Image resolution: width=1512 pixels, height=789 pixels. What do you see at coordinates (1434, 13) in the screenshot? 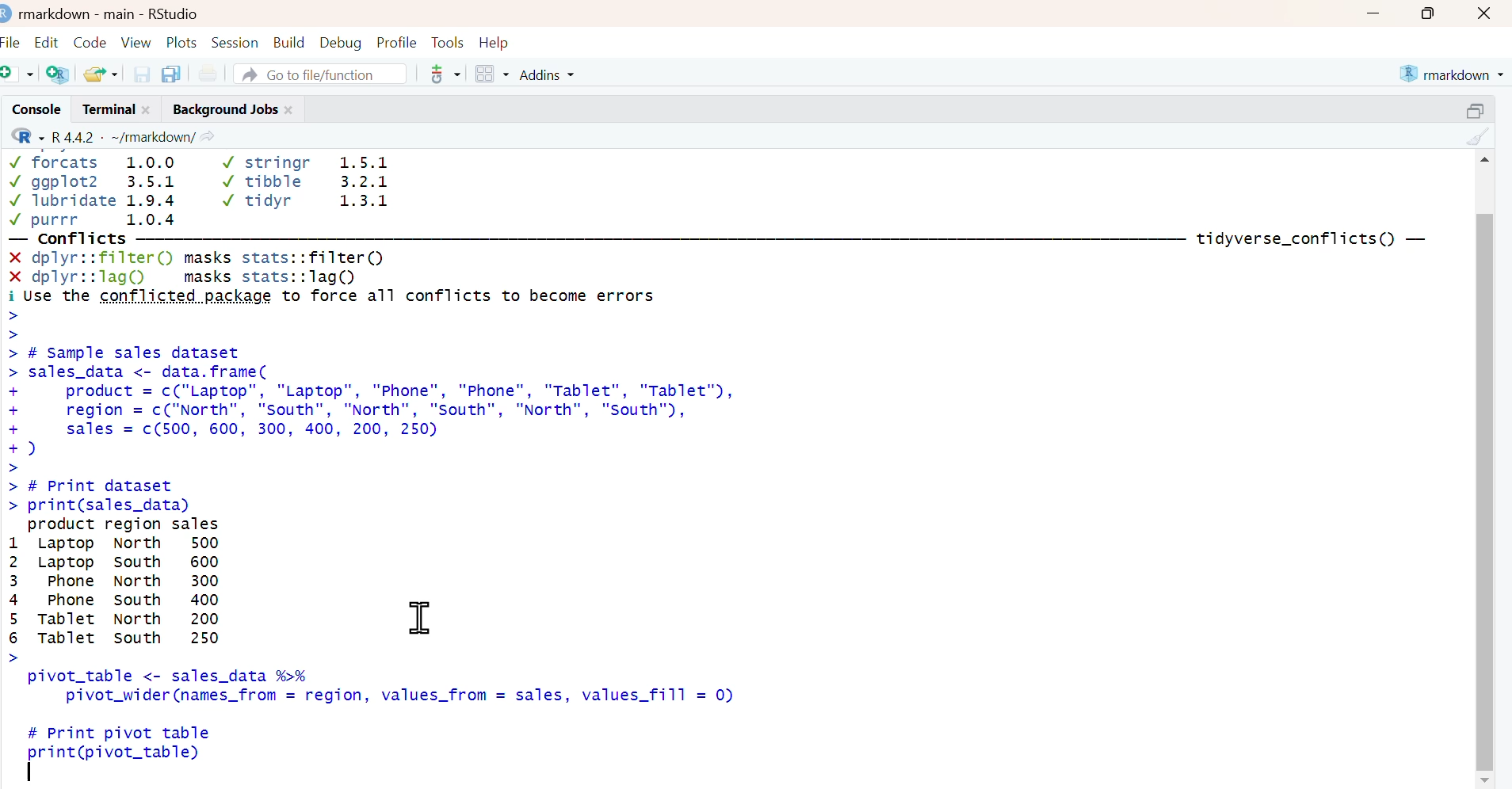
I see `maximize` at bounding box center [1434, 13].